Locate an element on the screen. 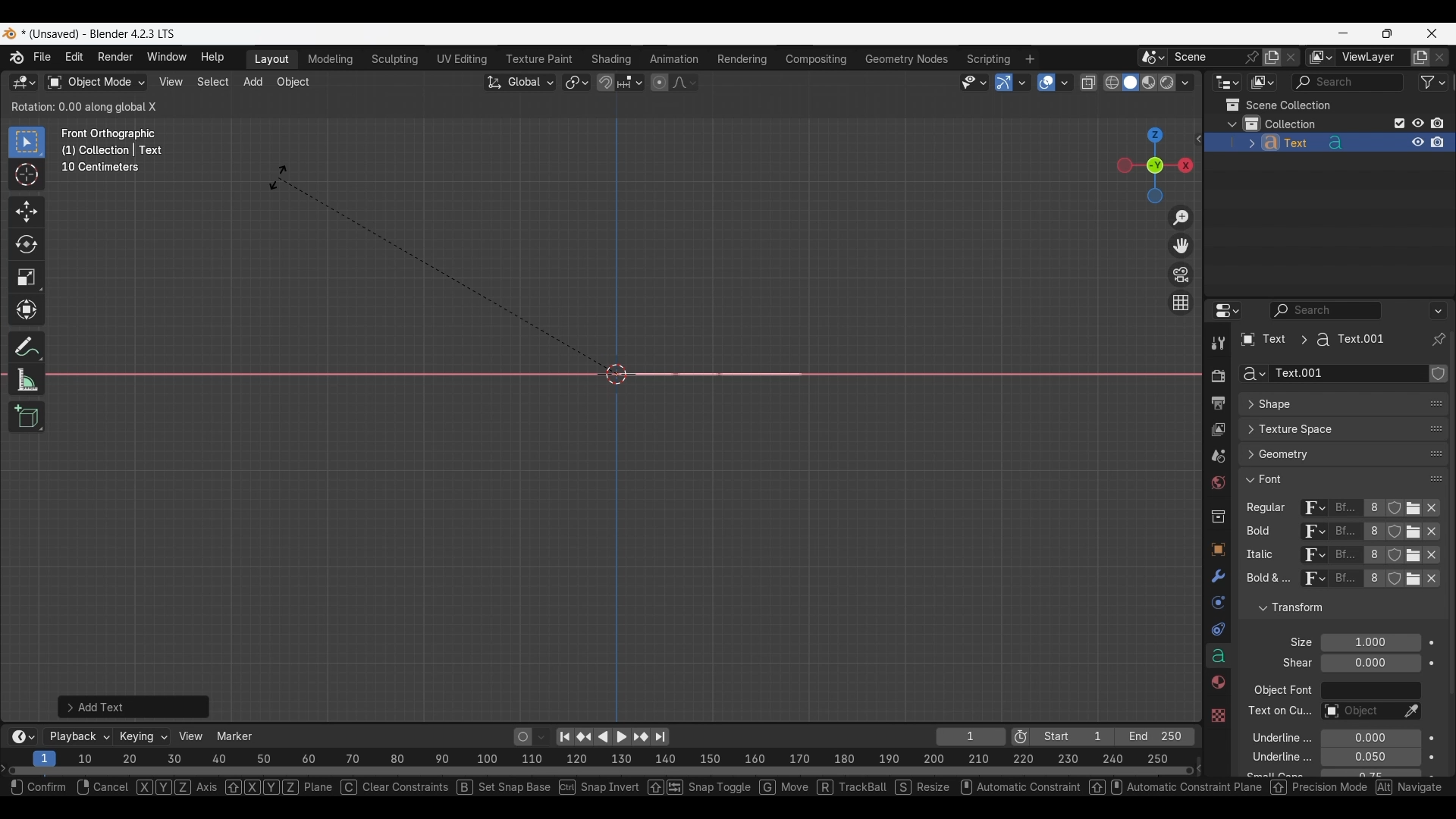 The height and width of the screenshot is (819, 1456). More options is located at coordinates (21, 737).